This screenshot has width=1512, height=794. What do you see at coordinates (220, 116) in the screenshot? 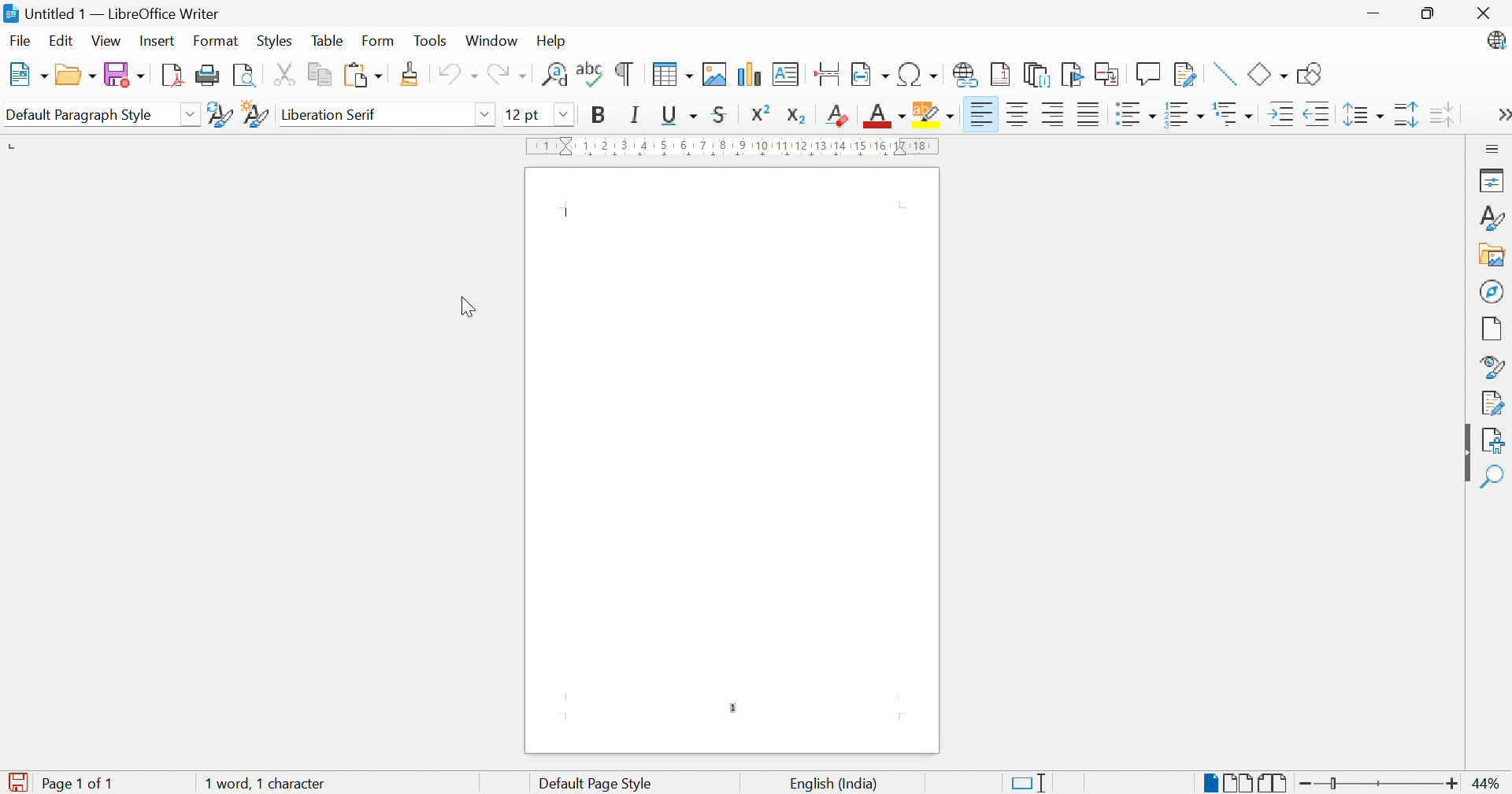
I see `Update selected style` at bounding box center [220, 116].